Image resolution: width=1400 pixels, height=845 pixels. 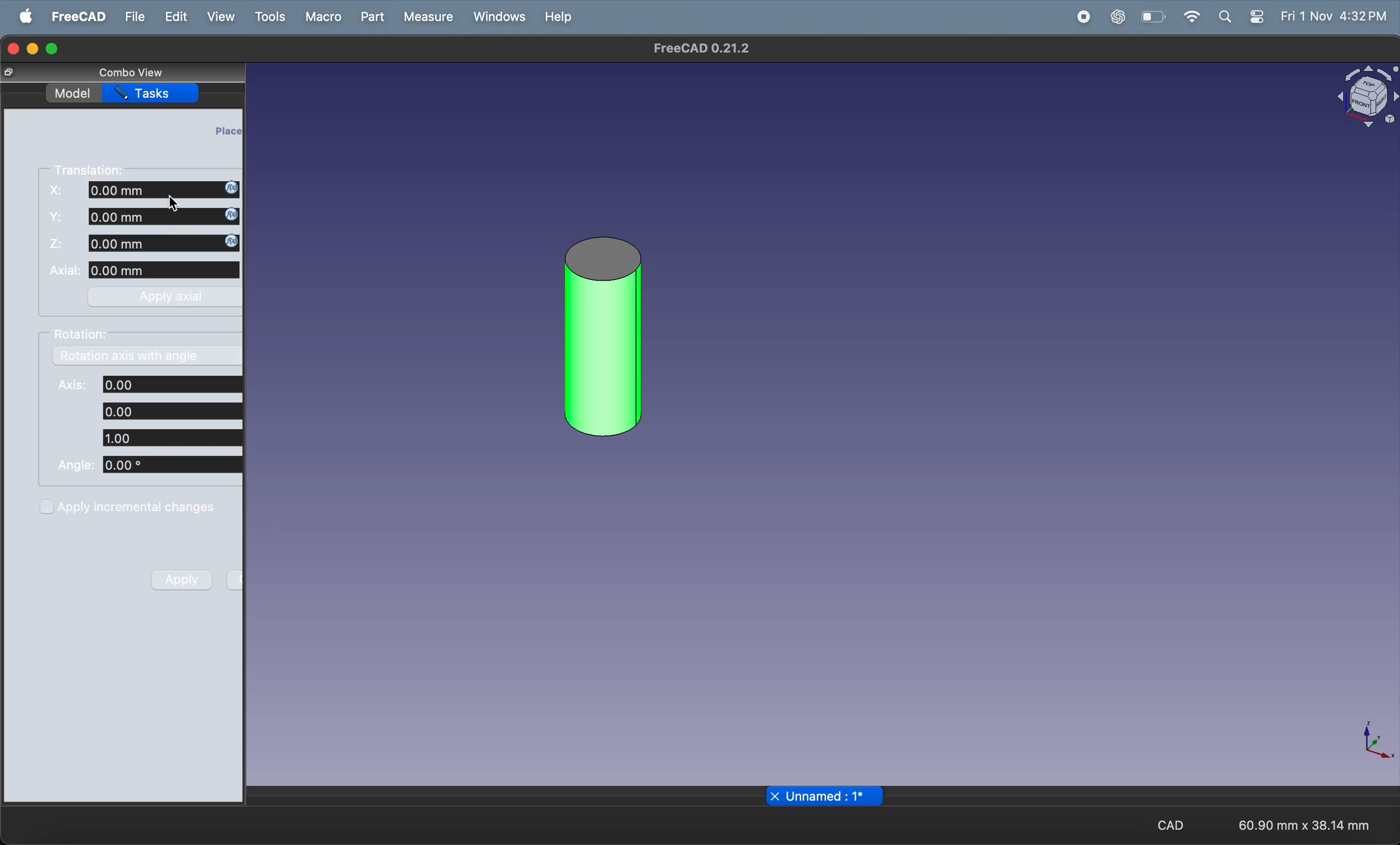 I want to click on copy, so click(x=8, y=73).